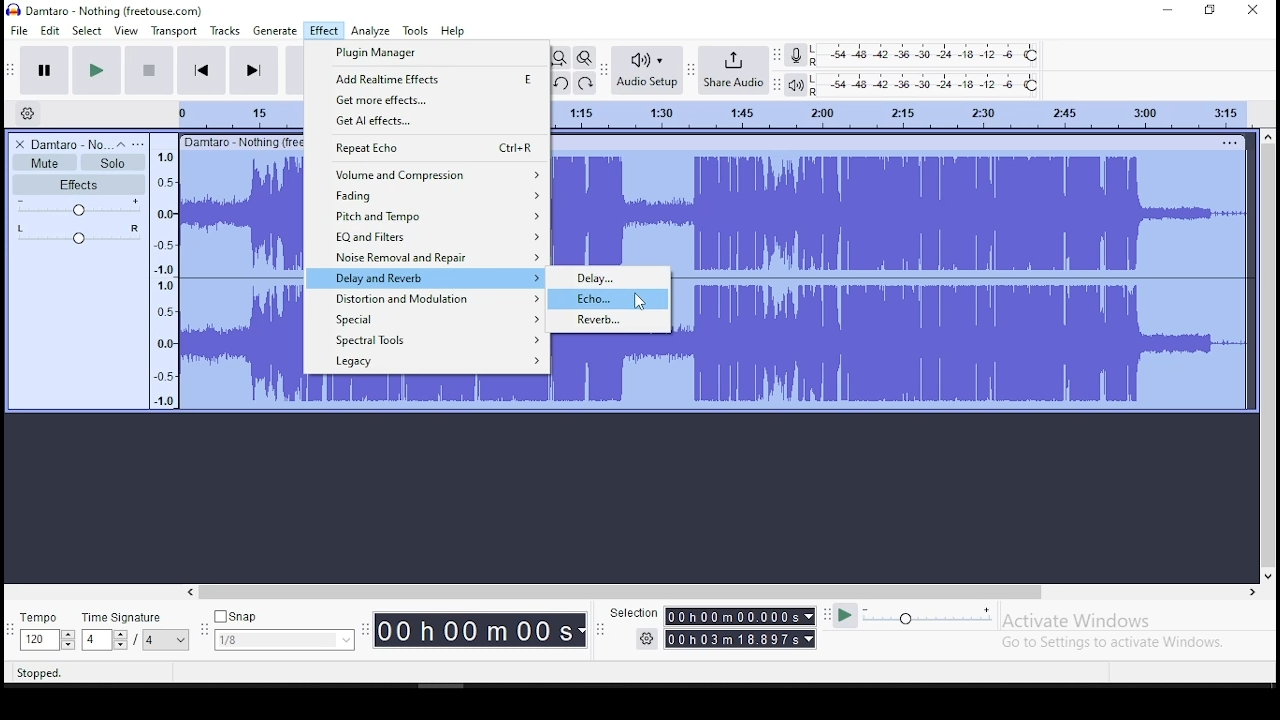  What do you see at coordinates (1252, 591) in the screenshot?
I see `right` at bounding box center [1252, 591].